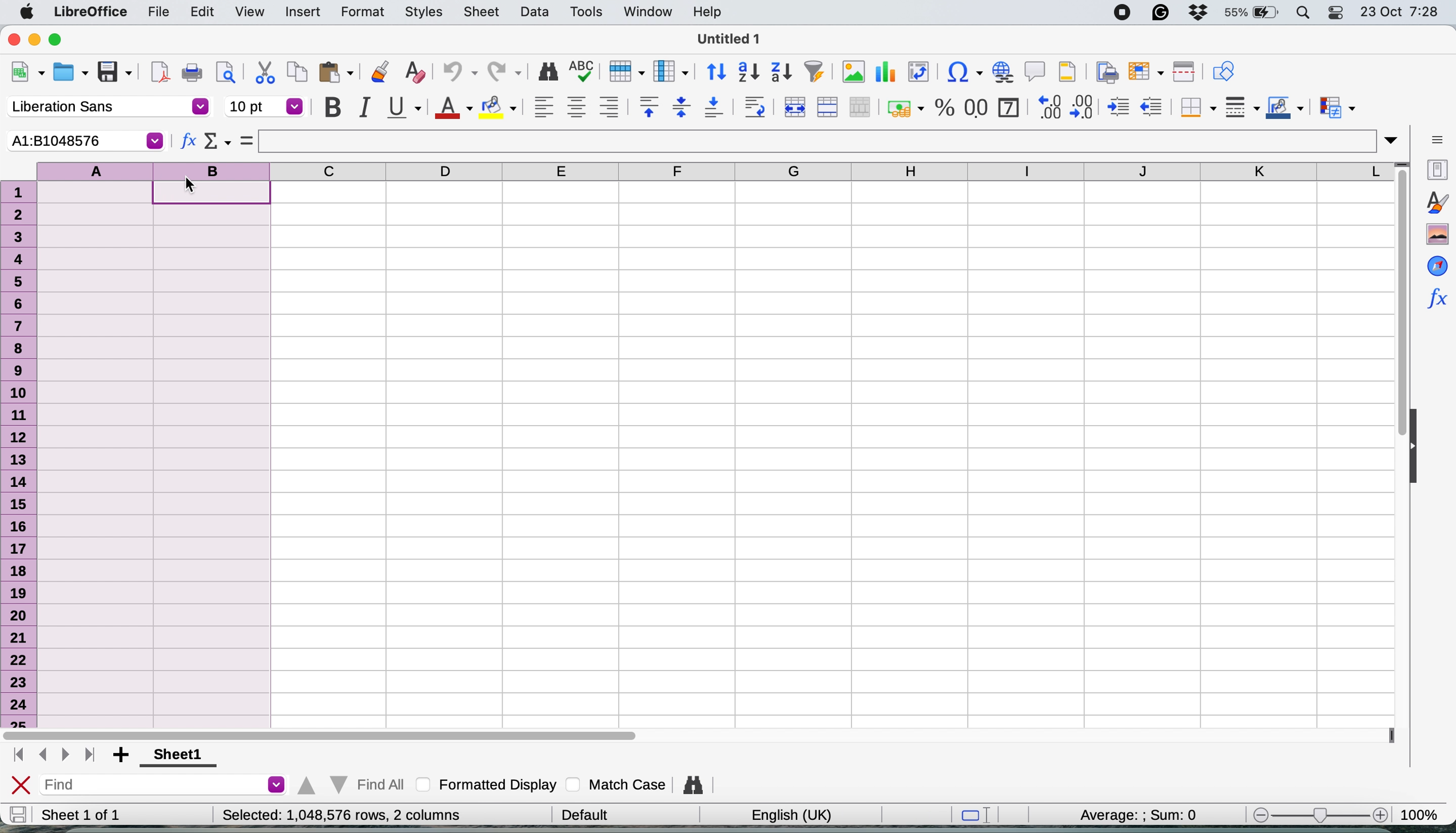  Describe the element at coordinates (121, 754) in the screenshot. I see `add sheet` at that location.